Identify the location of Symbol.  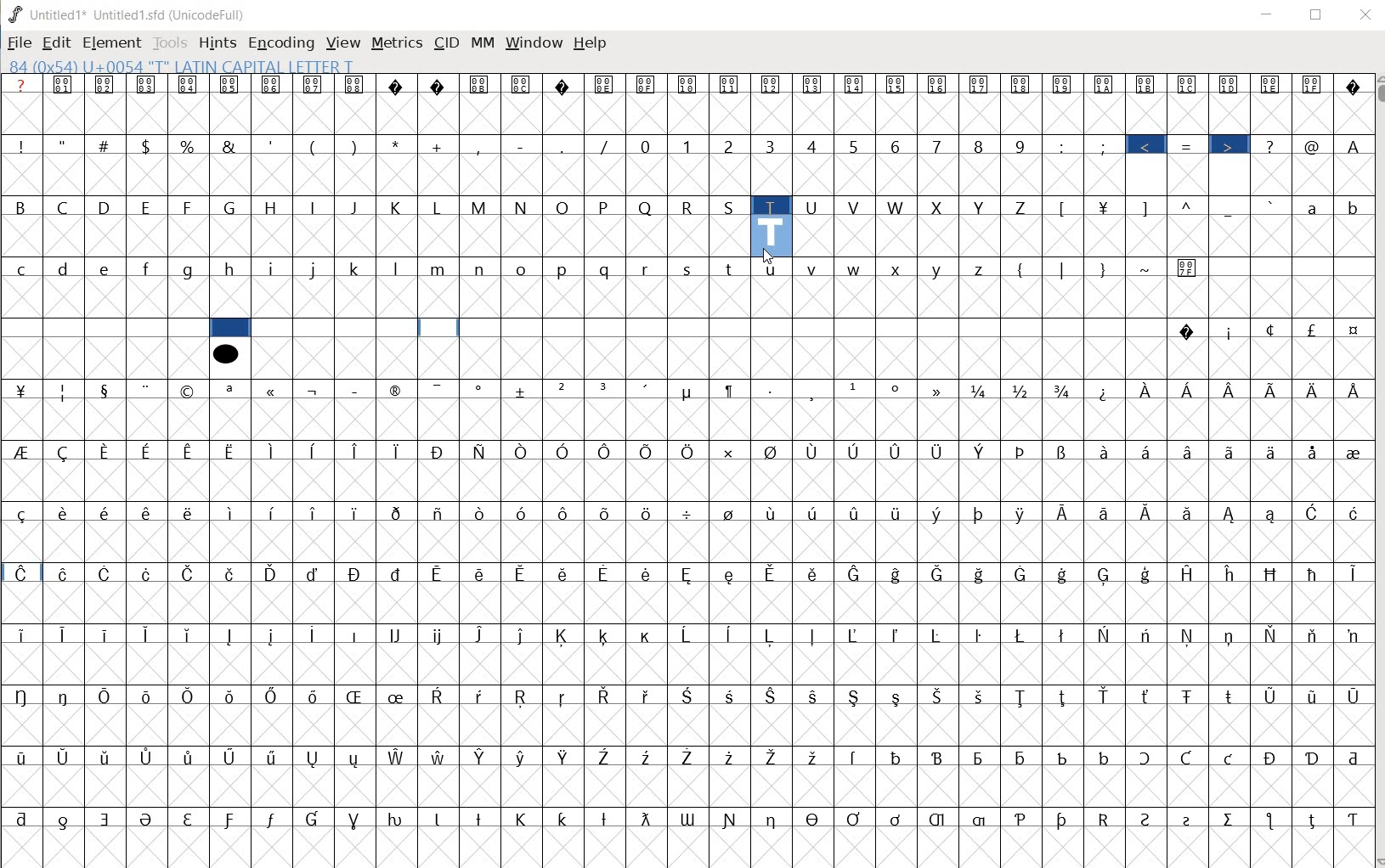
(1314, 452).